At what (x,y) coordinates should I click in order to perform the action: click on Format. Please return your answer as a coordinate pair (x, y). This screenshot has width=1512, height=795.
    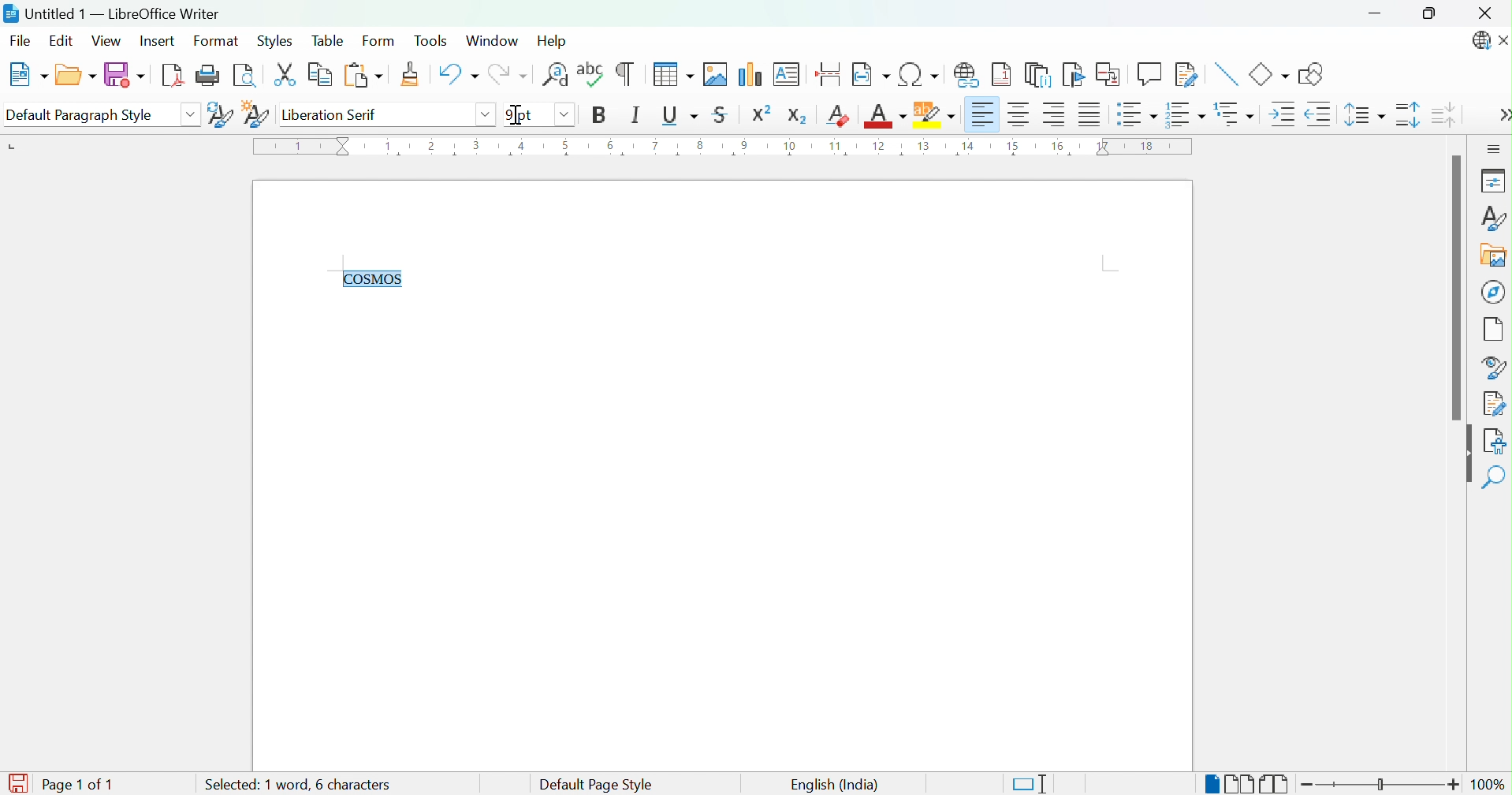
    Looking at the image, I should click on (214, 42).